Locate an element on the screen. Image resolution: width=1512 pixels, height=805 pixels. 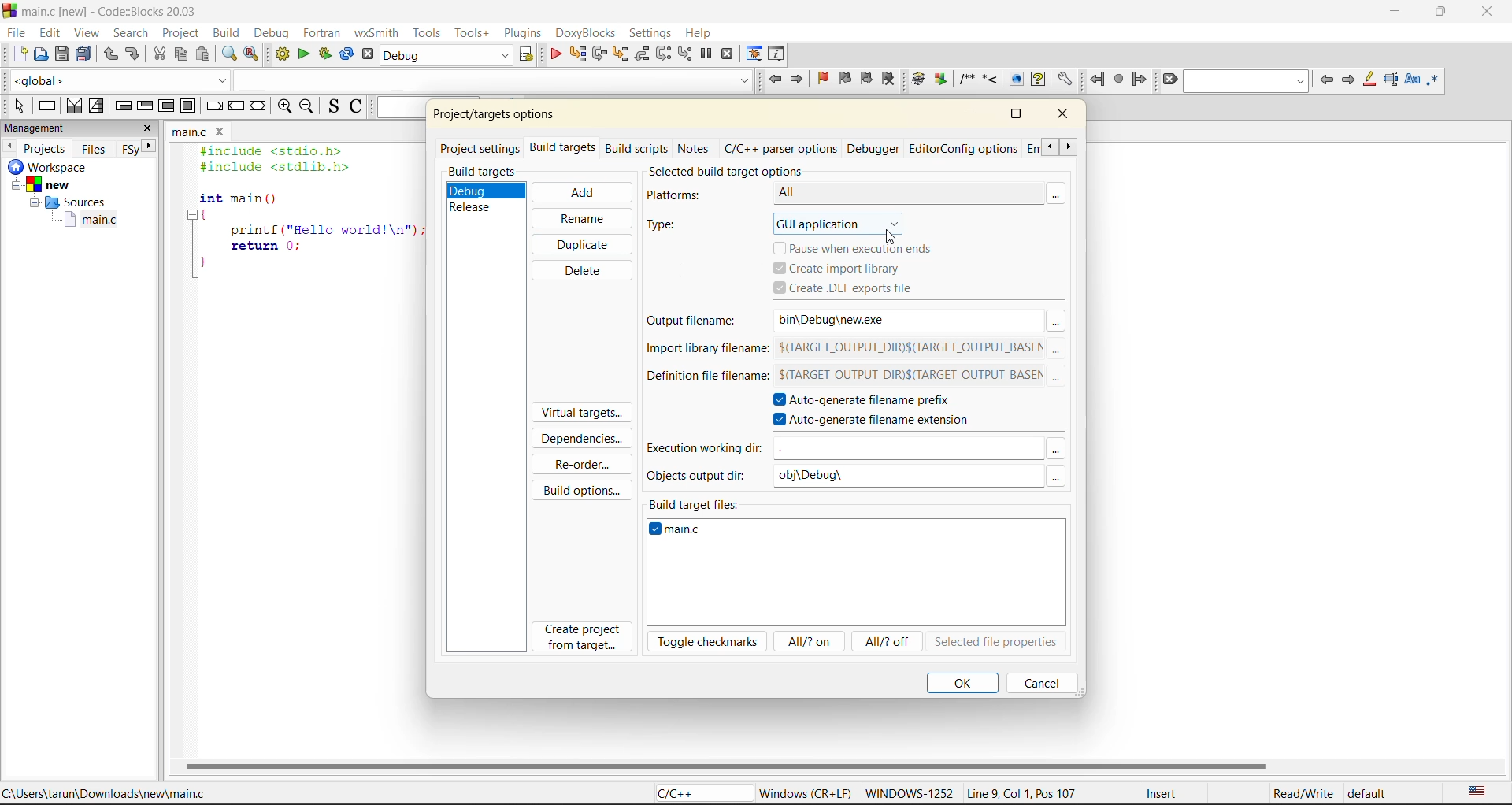
reorder is located at coordinates (582, 465).